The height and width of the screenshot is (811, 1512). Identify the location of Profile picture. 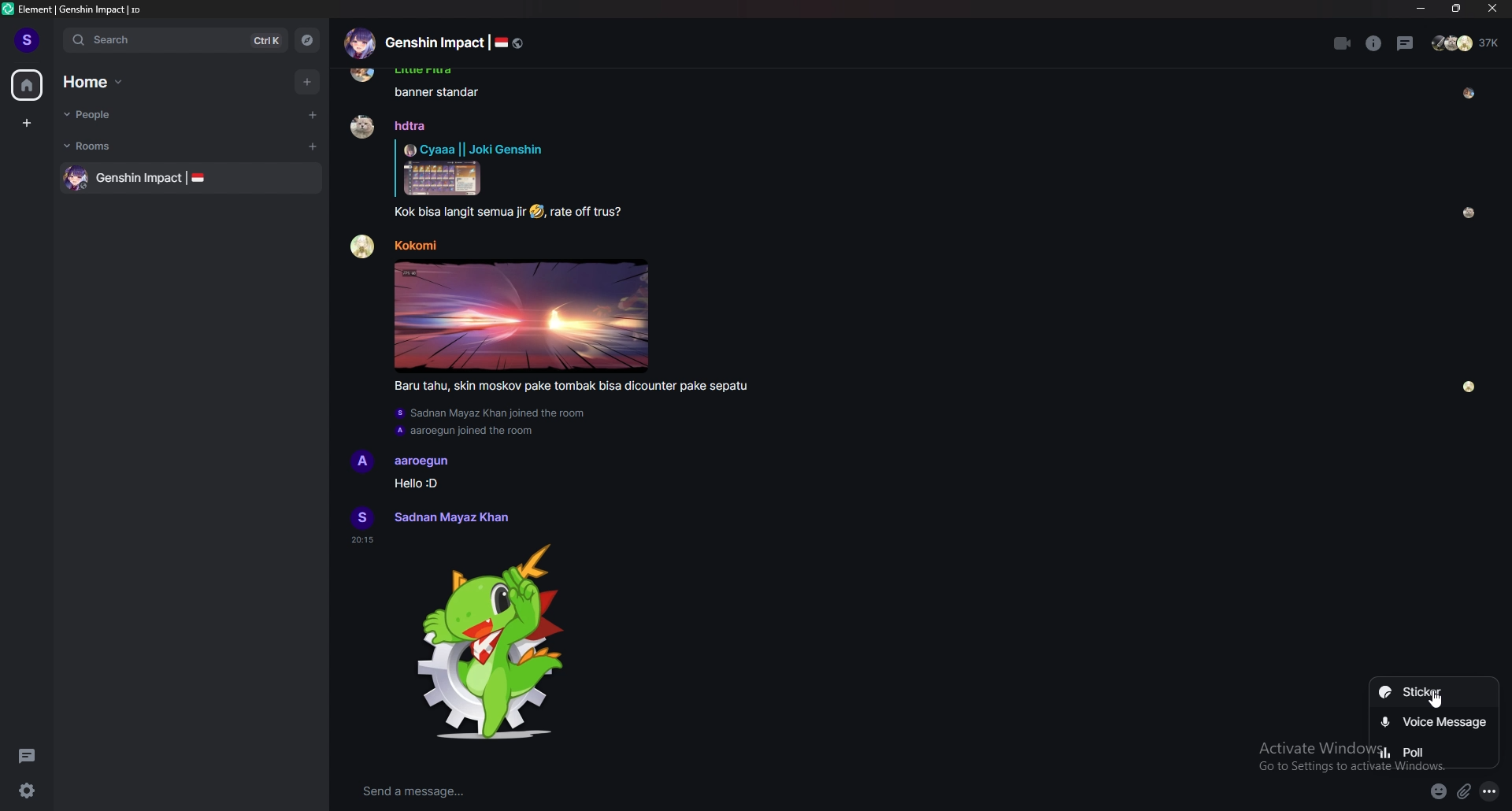
(362, 517).